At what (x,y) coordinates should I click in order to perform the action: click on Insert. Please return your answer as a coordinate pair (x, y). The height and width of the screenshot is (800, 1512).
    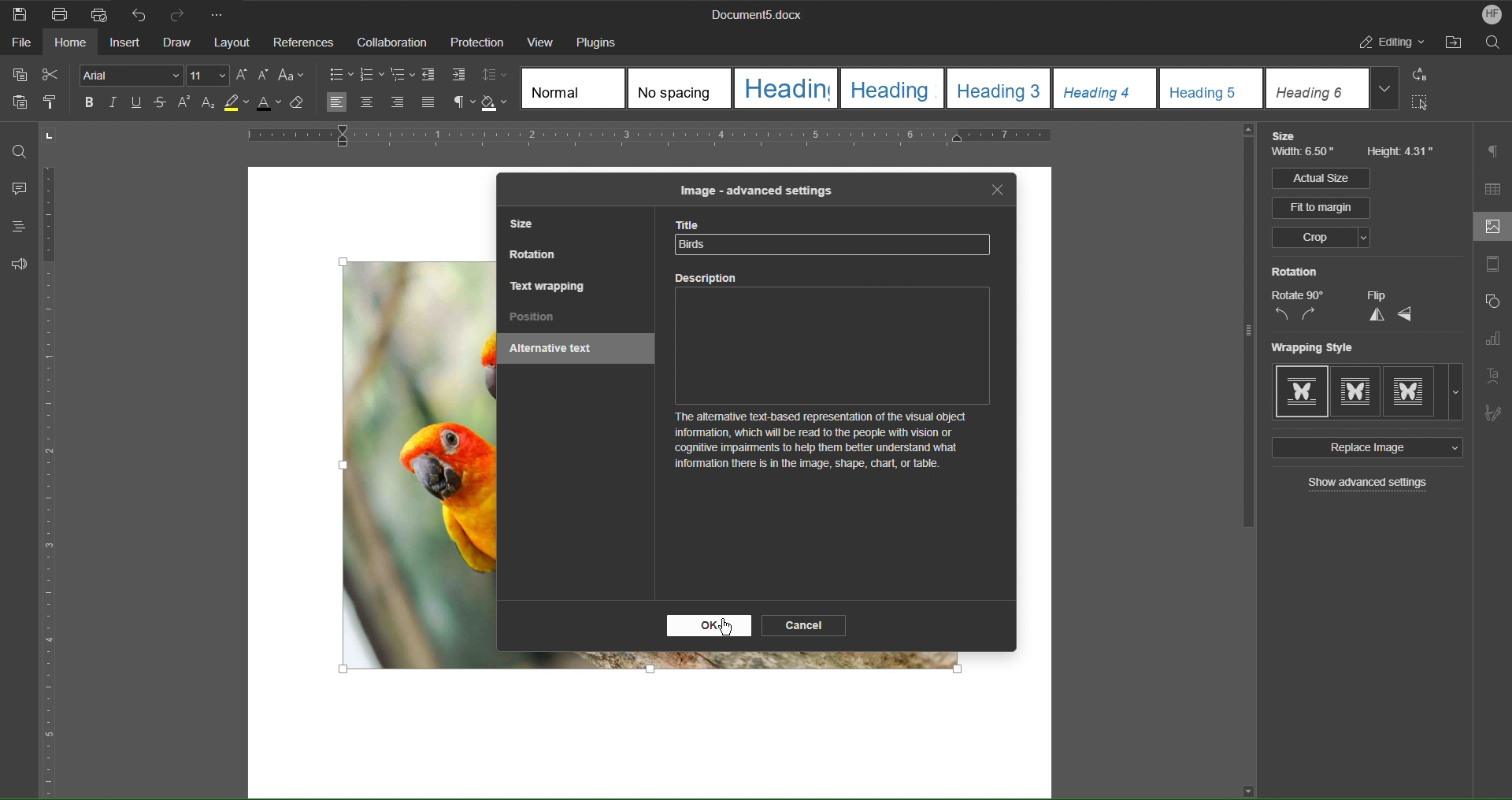
    Looking at the image, I should click on (127, 44).